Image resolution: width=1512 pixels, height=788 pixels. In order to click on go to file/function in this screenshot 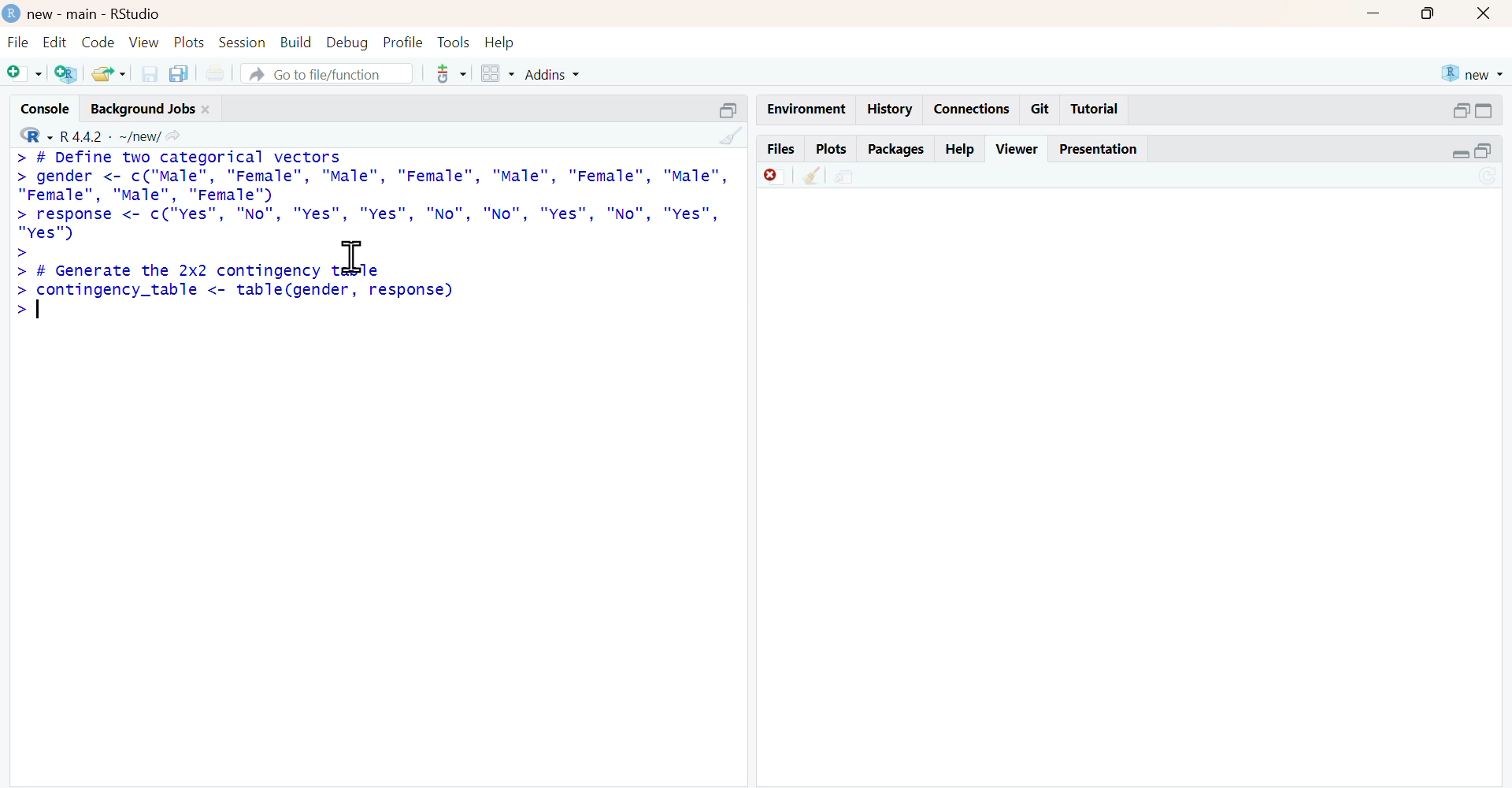, I will do `click(328, 72)`.